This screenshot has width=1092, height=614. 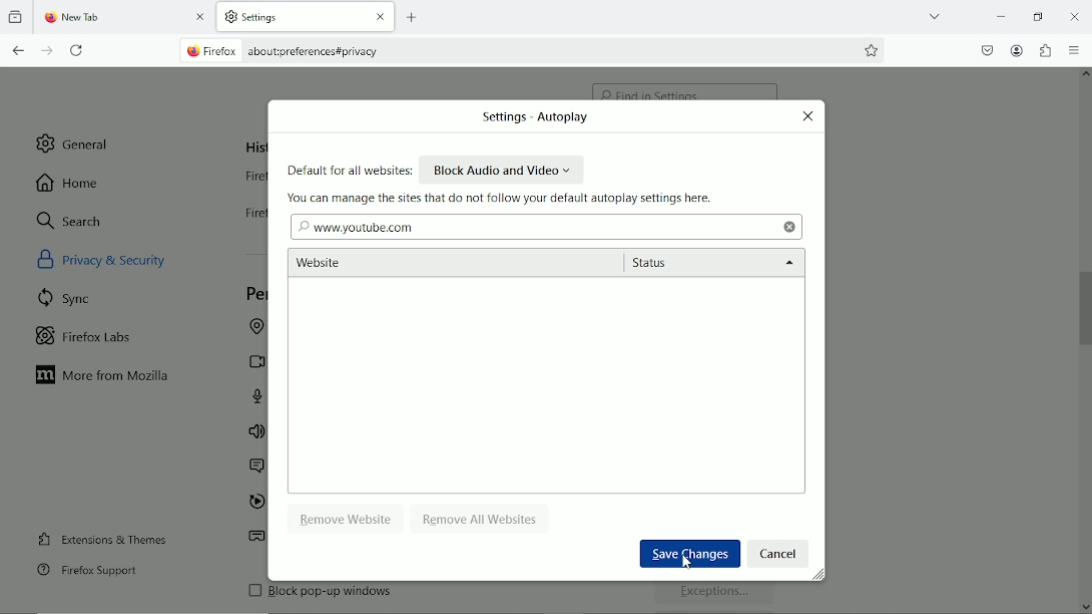 I want to click on remove all websites, so click(x=481, y=517).